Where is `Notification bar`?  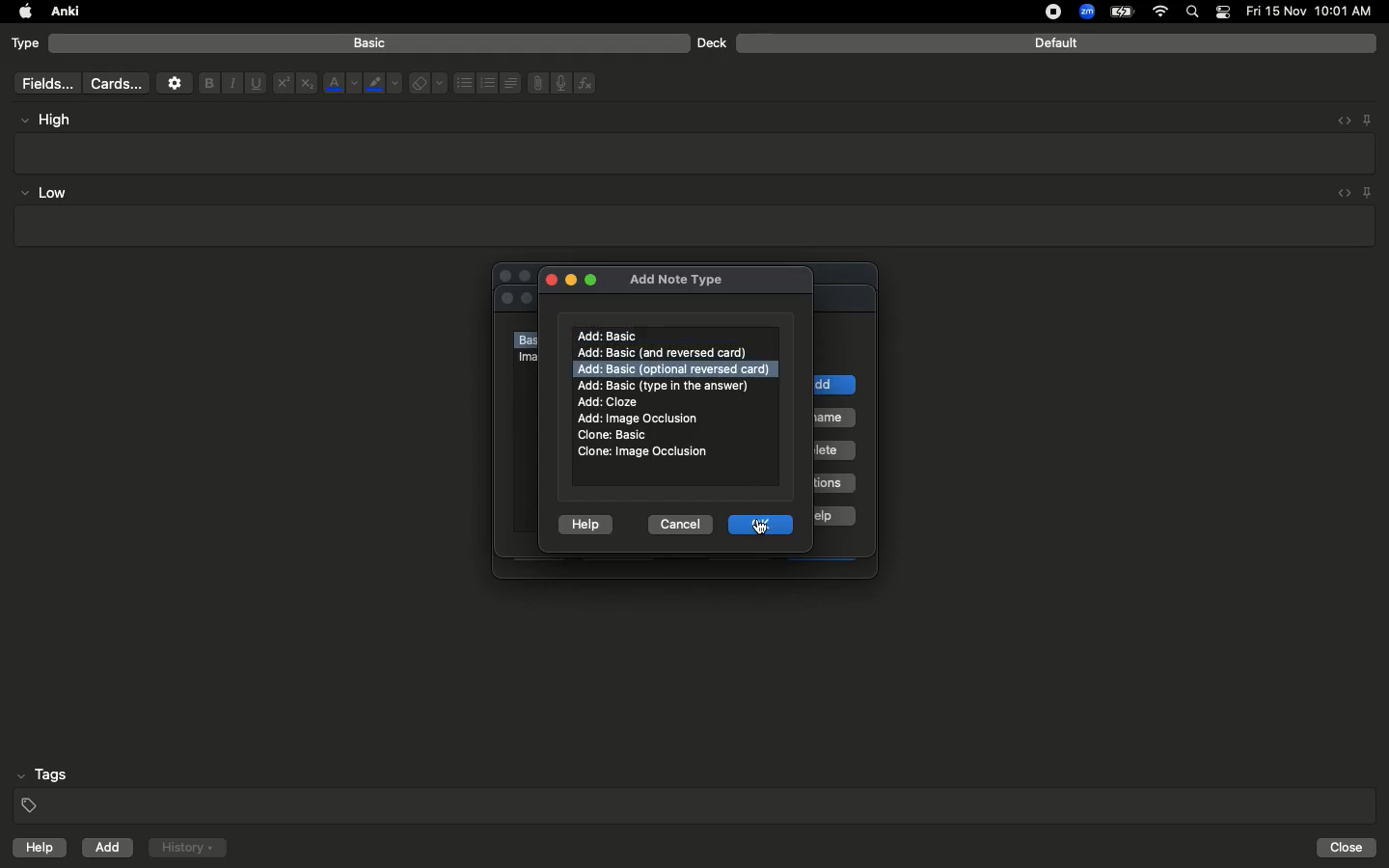 Notification bar is located at coordinates (1223, 13).